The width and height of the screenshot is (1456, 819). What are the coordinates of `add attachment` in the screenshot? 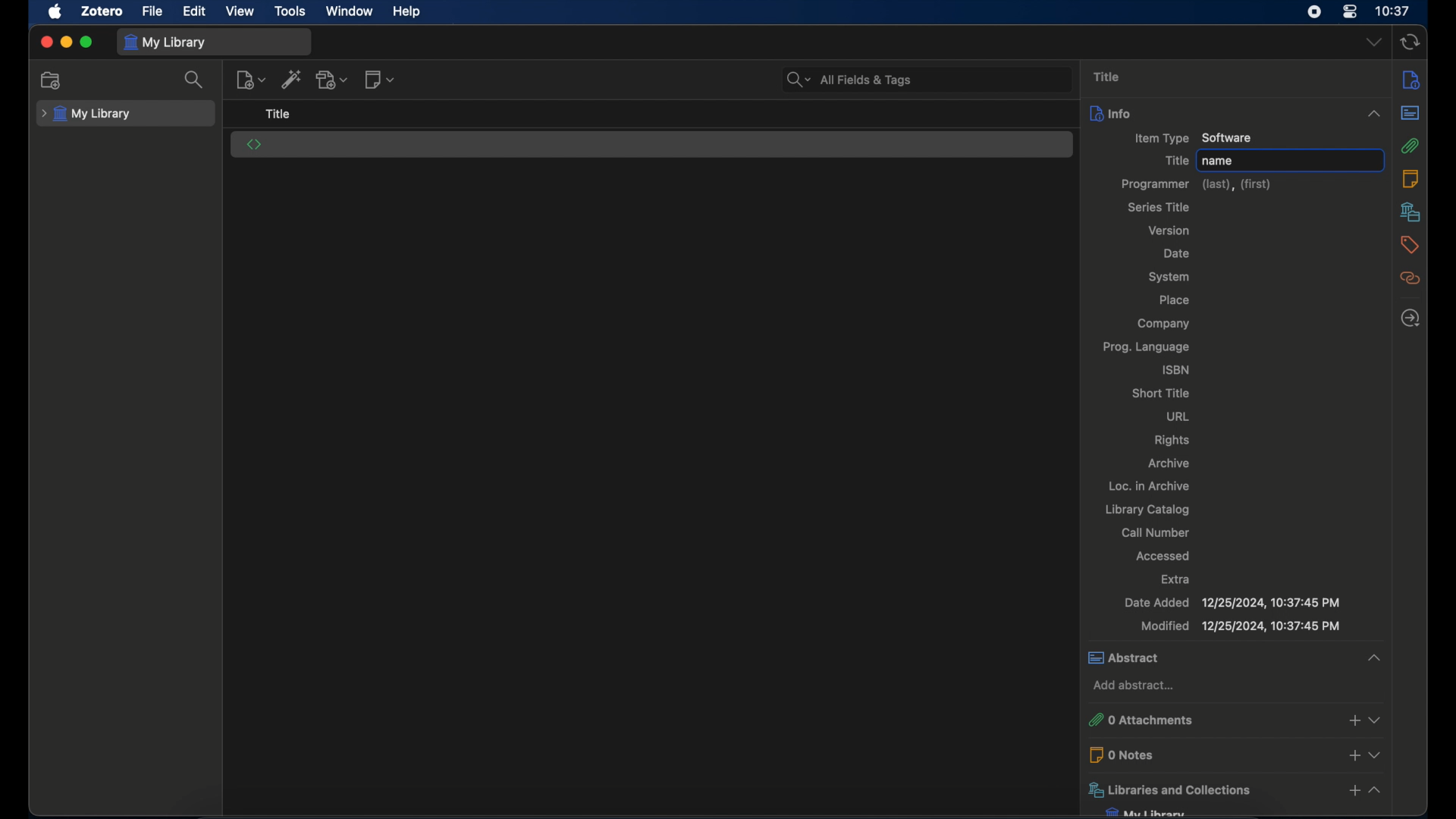 It's located at (332, 80).